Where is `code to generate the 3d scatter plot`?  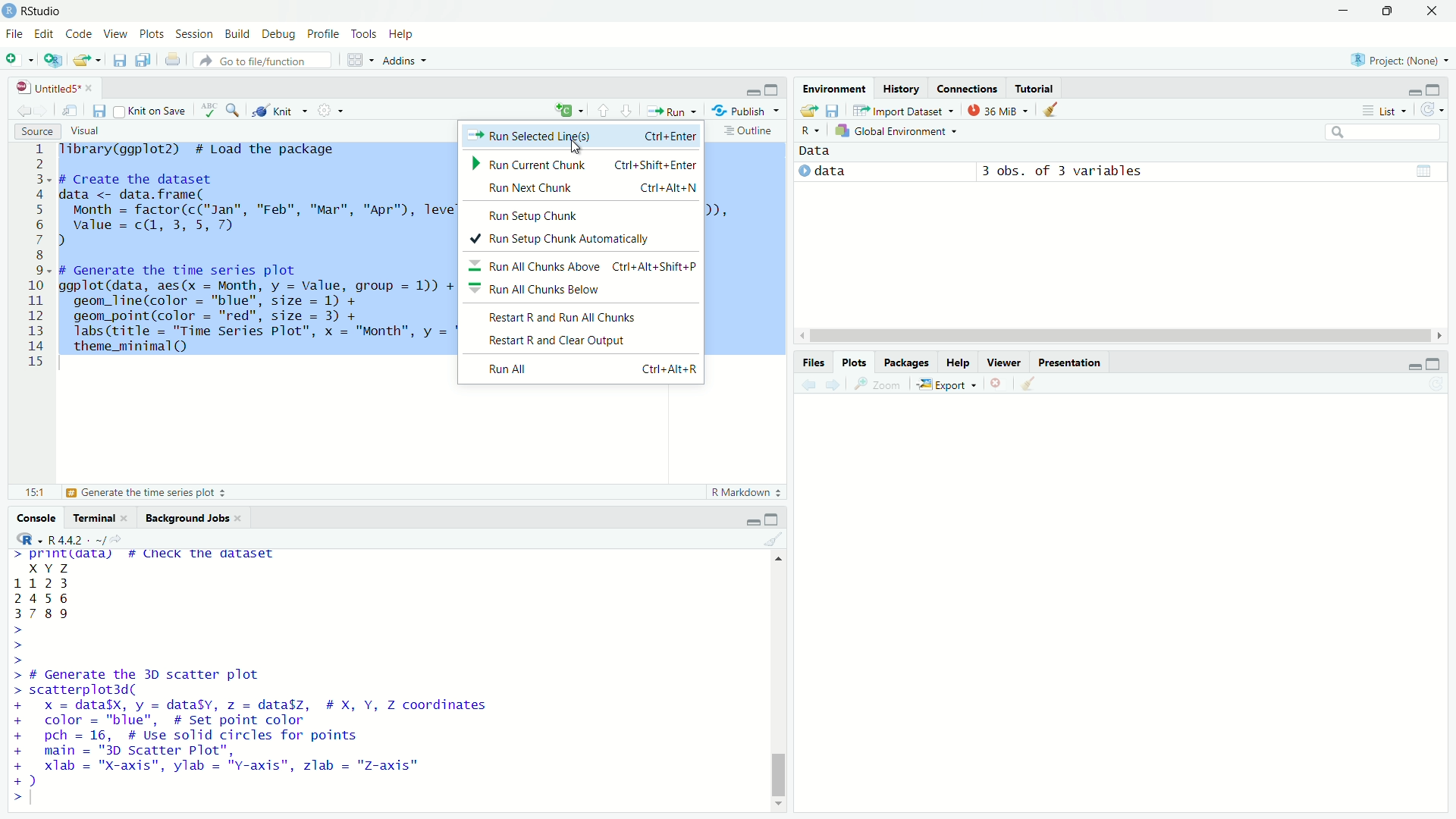 code to generate the 3d scatter plot is located at coordinates (259, 728).